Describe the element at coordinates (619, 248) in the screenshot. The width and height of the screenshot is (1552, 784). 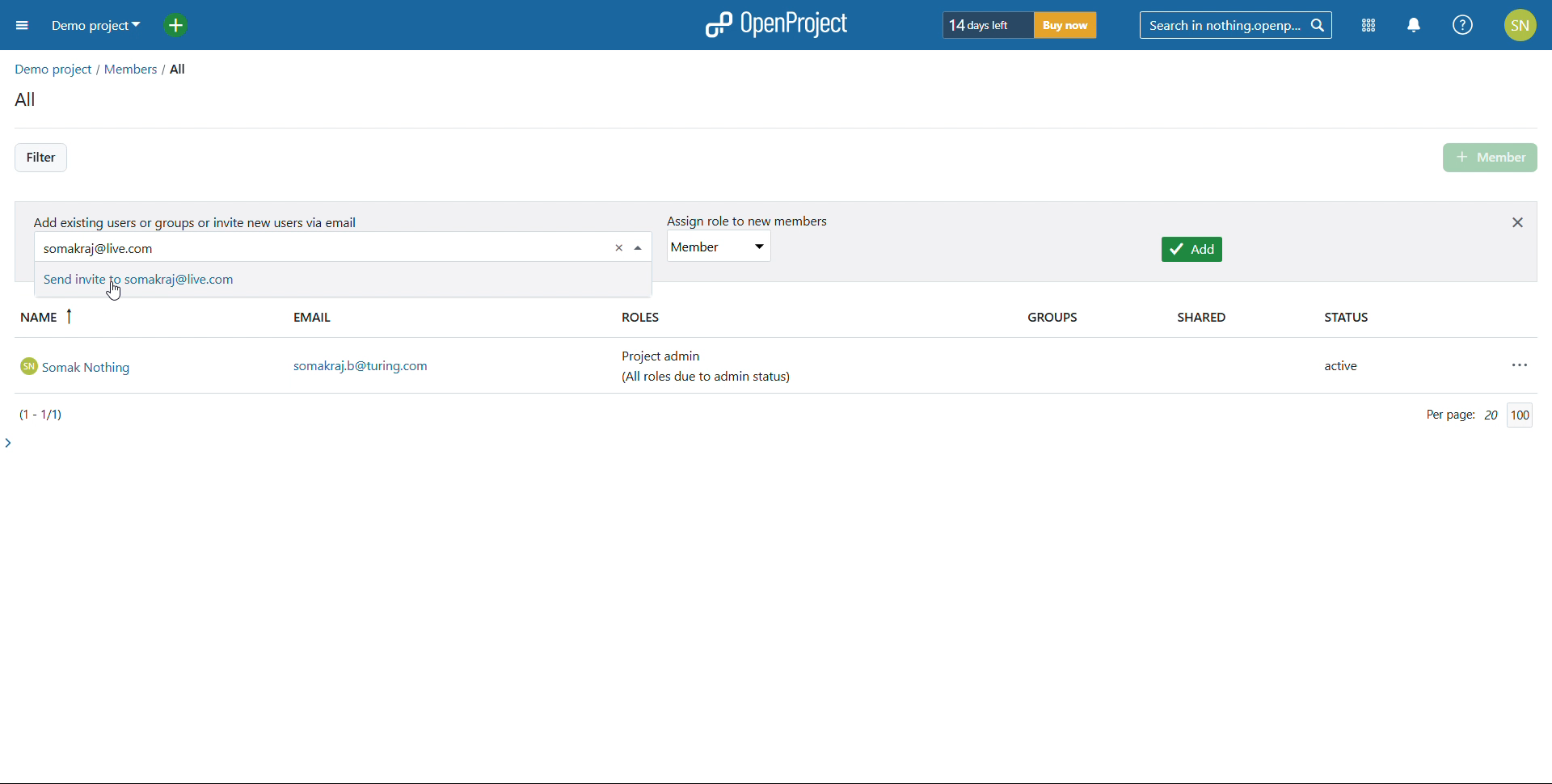
I see `remove email id` at that location.